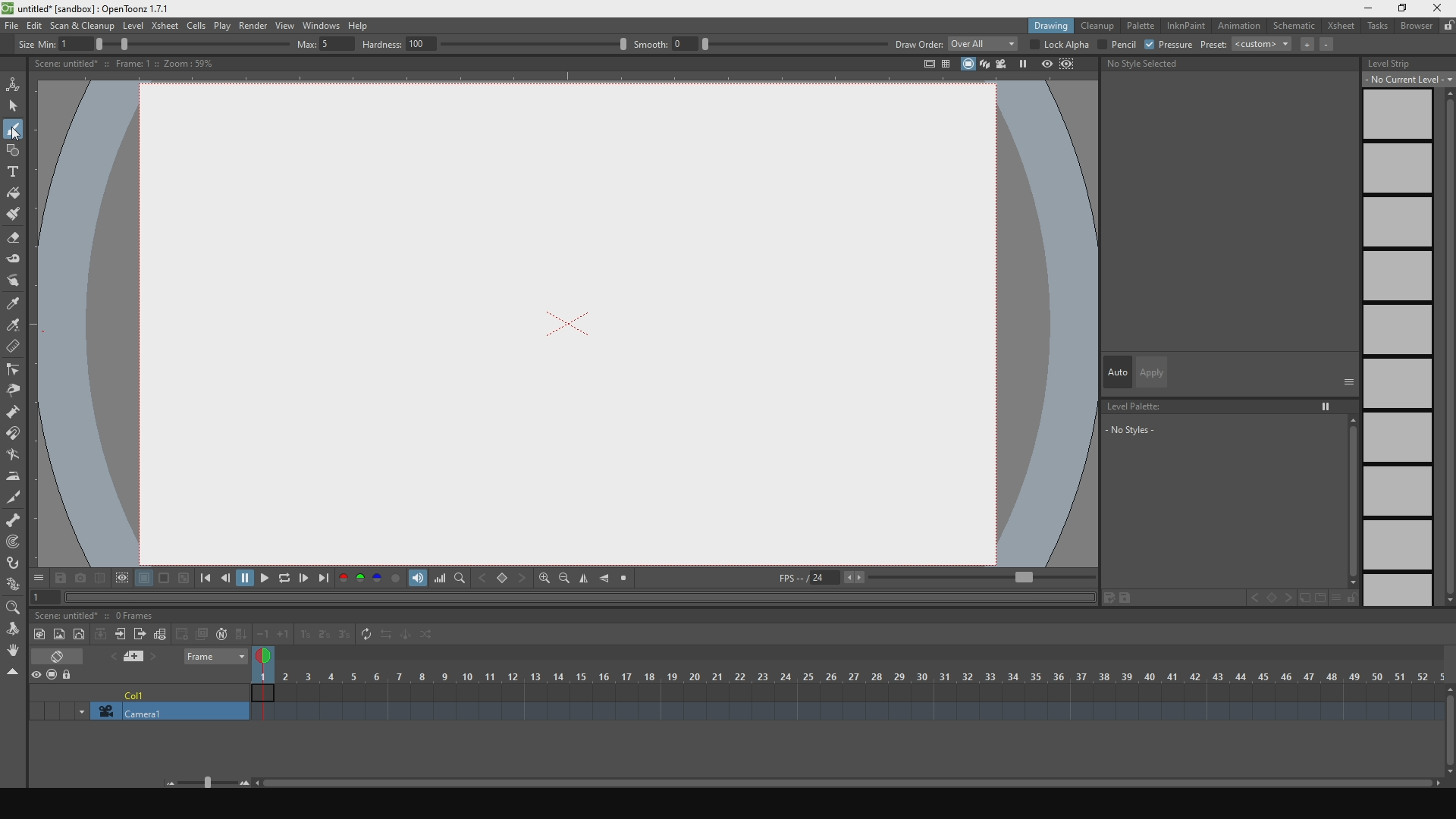 This screenshot has height=819, width=1456. What do you see at coordinates (14, 629) in the screenshot?
I see `move` at bounding box center [14, 629].